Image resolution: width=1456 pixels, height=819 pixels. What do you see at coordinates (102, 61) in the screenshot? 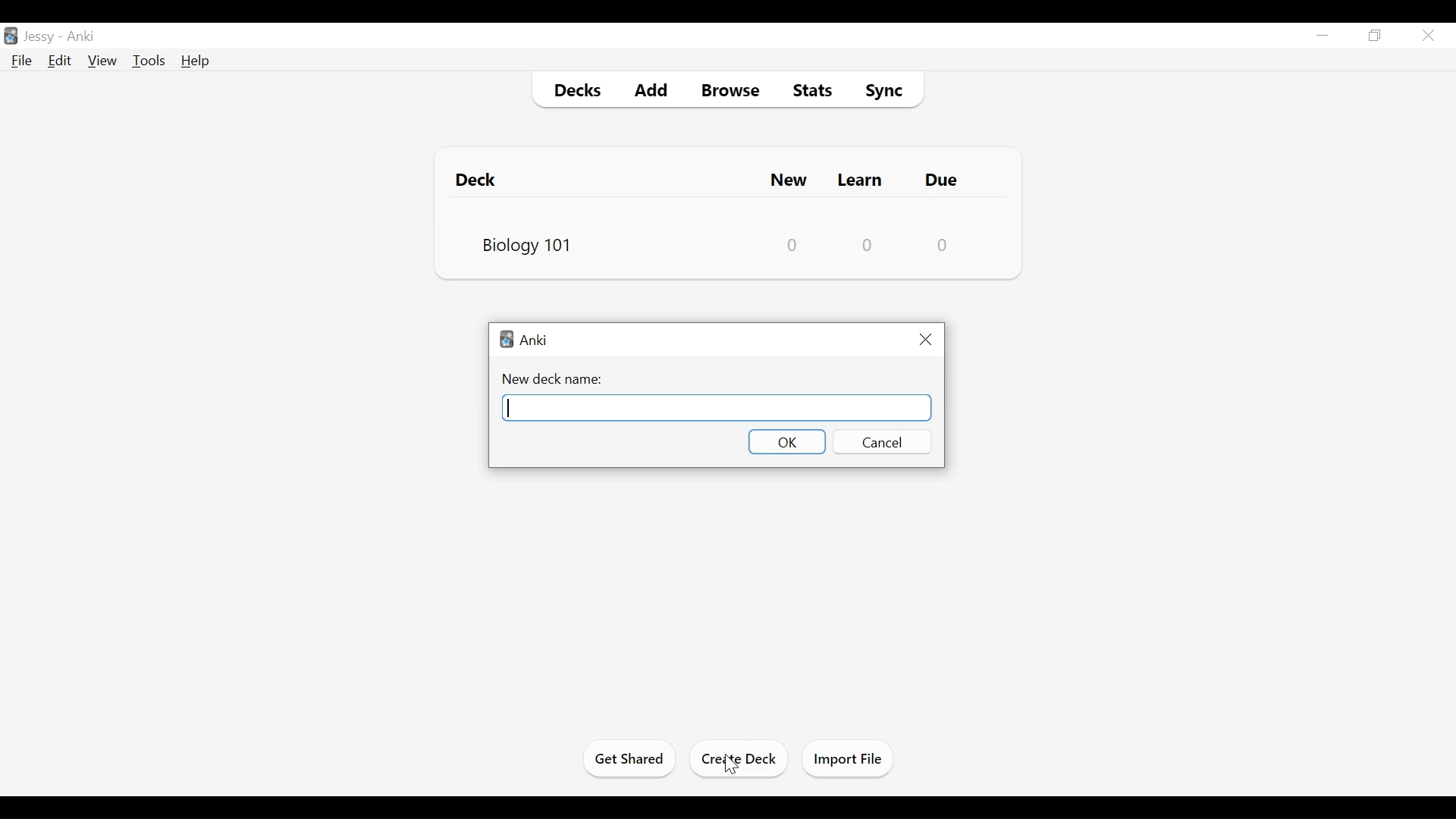
I see `View` at bounding box center [102, 61].